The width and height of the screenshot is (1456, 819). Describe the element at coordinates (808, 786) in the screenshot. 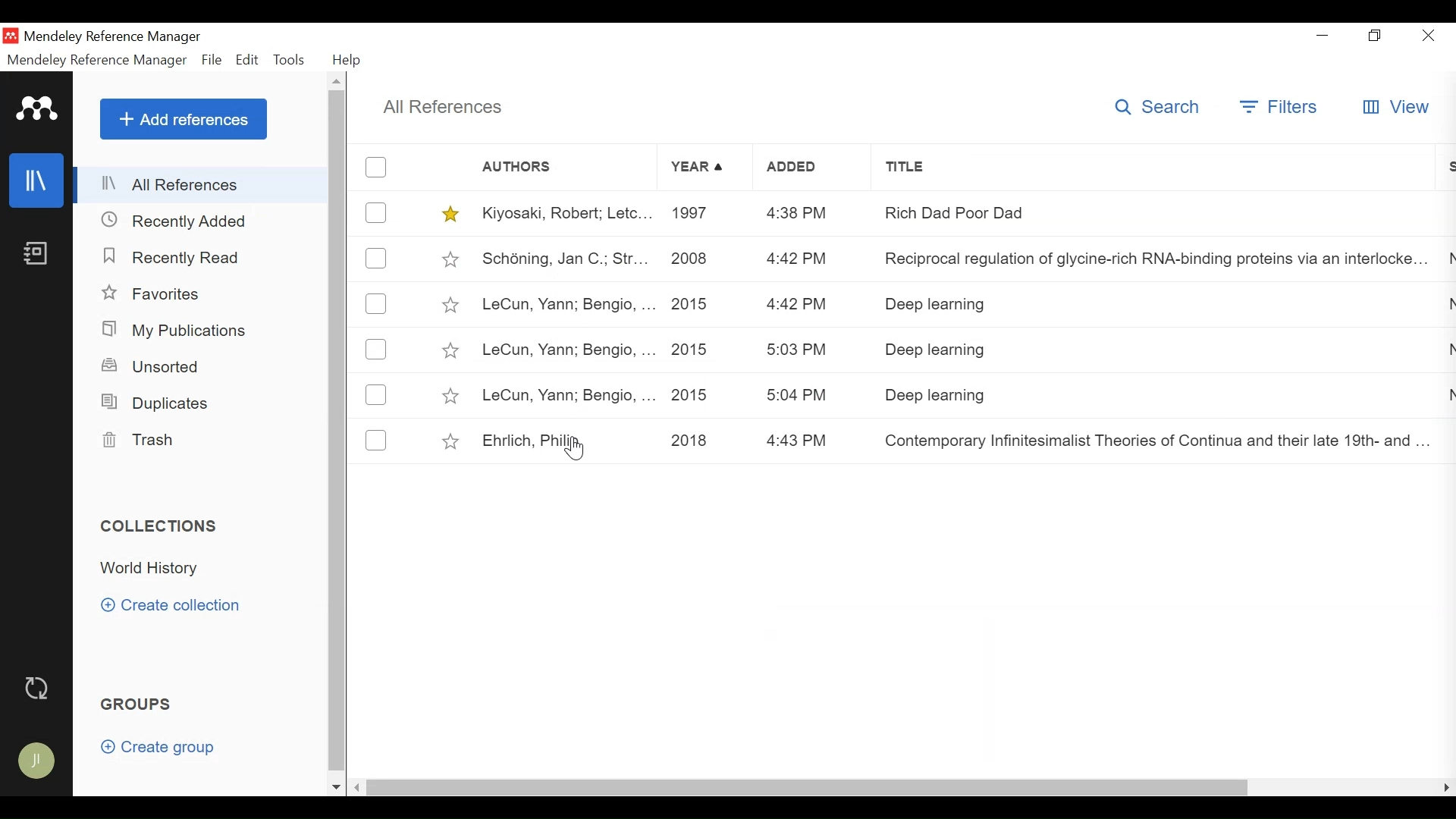

I see `horizontal scroll bar` at that location.